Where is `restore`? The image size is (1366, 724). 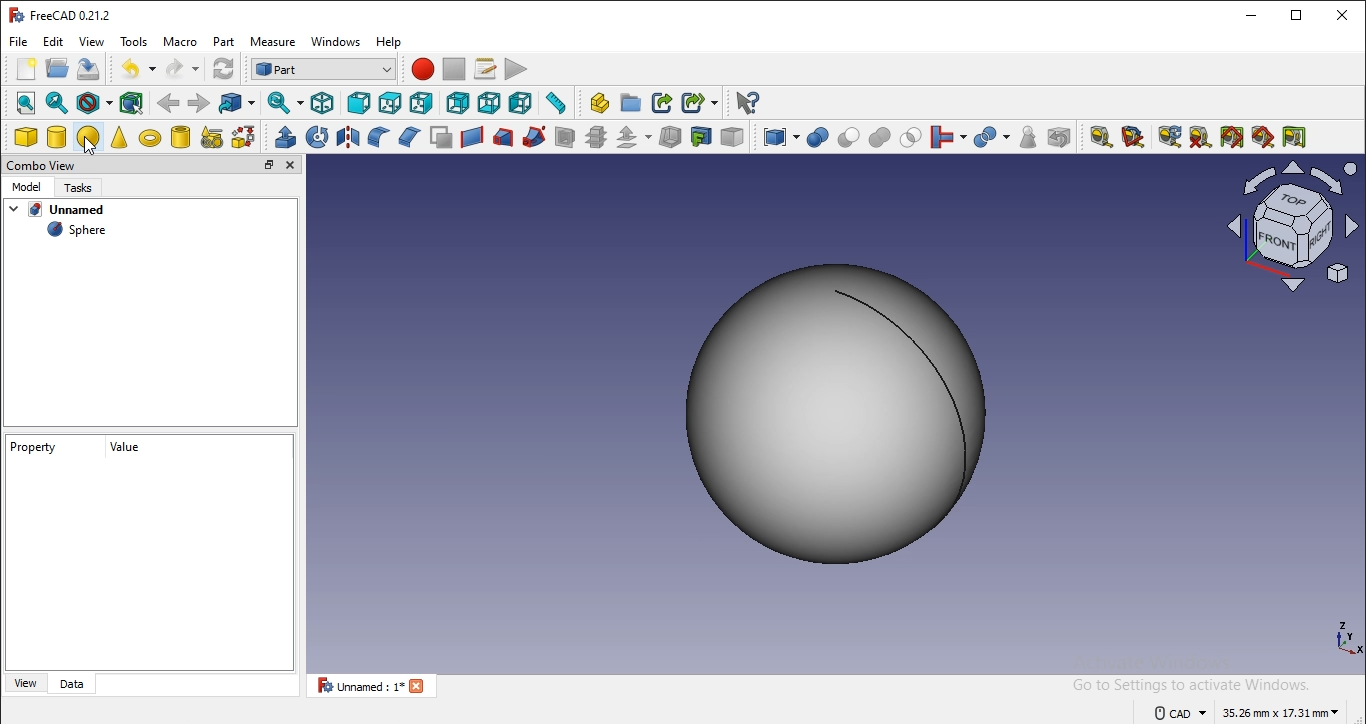 restore is located at coordinates (269, 164).